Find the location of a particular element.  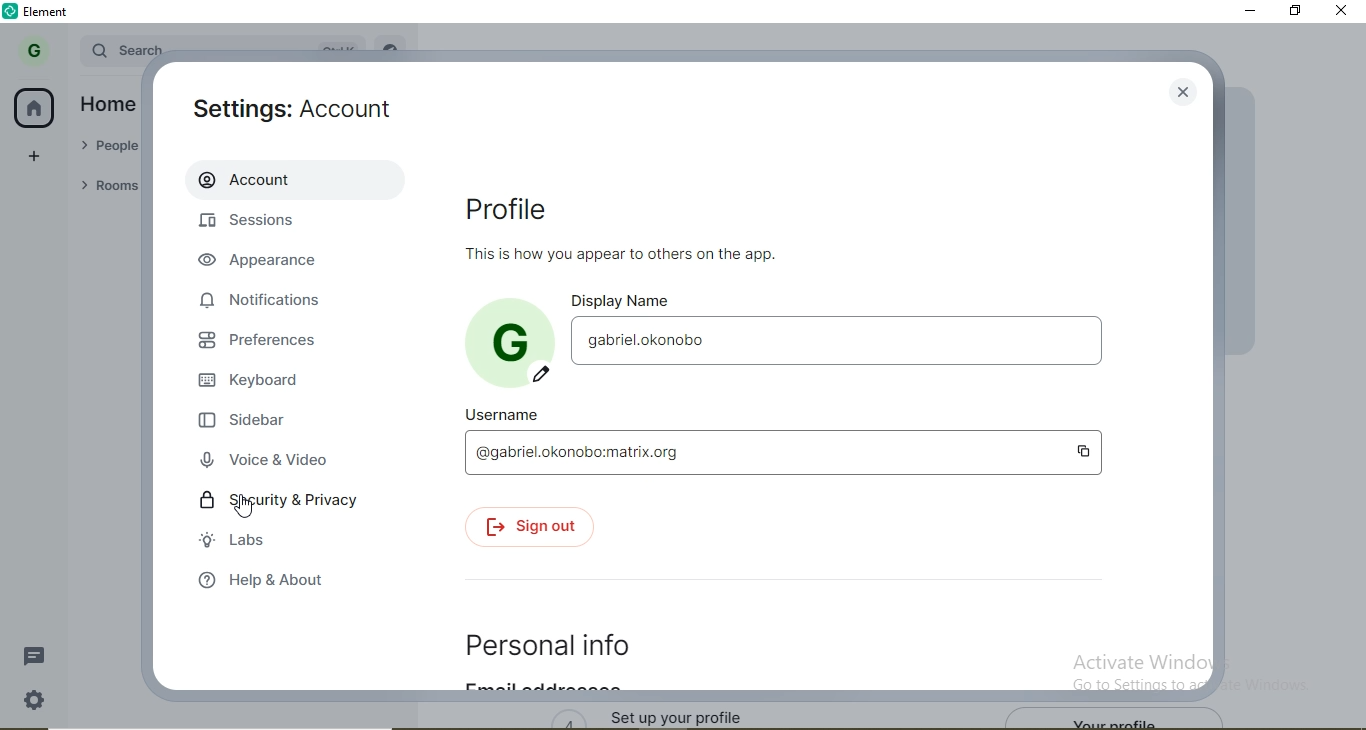

gabriel.okonobo.matrix.org is located at coordinates (741, 452).